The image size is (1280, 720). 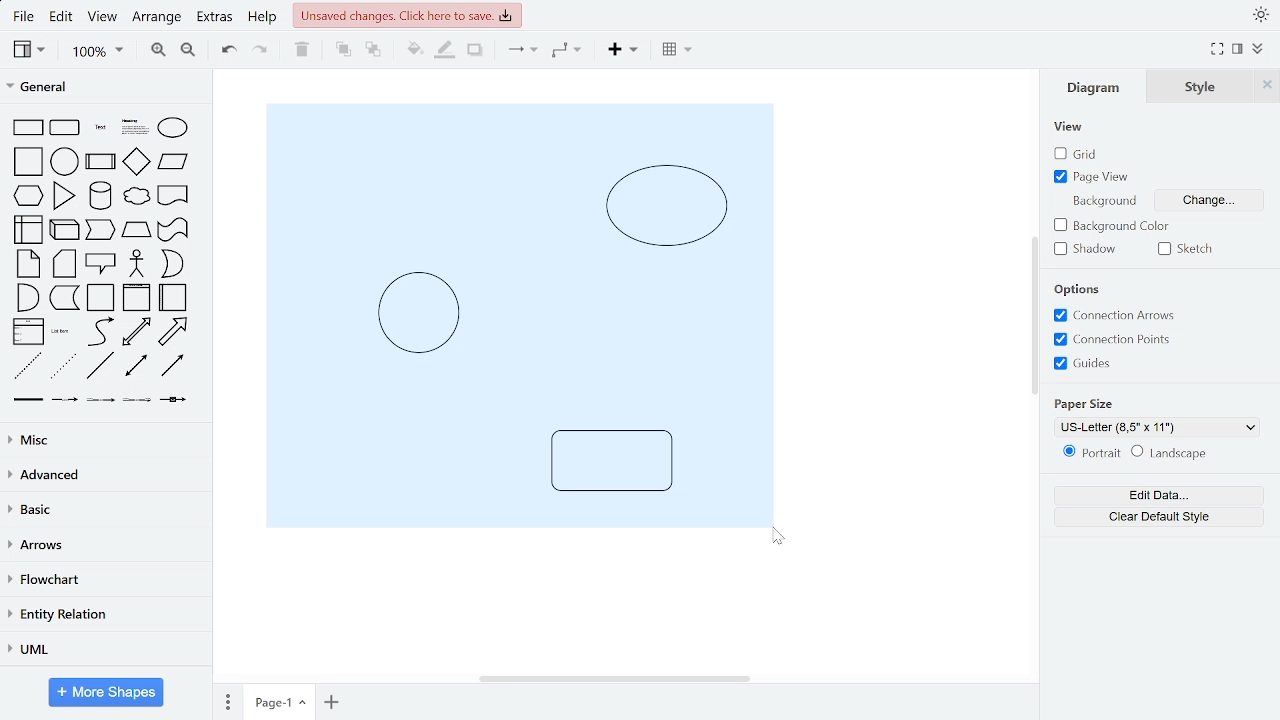 I want to click on Connector with symbol, so click(x=174, y=405).